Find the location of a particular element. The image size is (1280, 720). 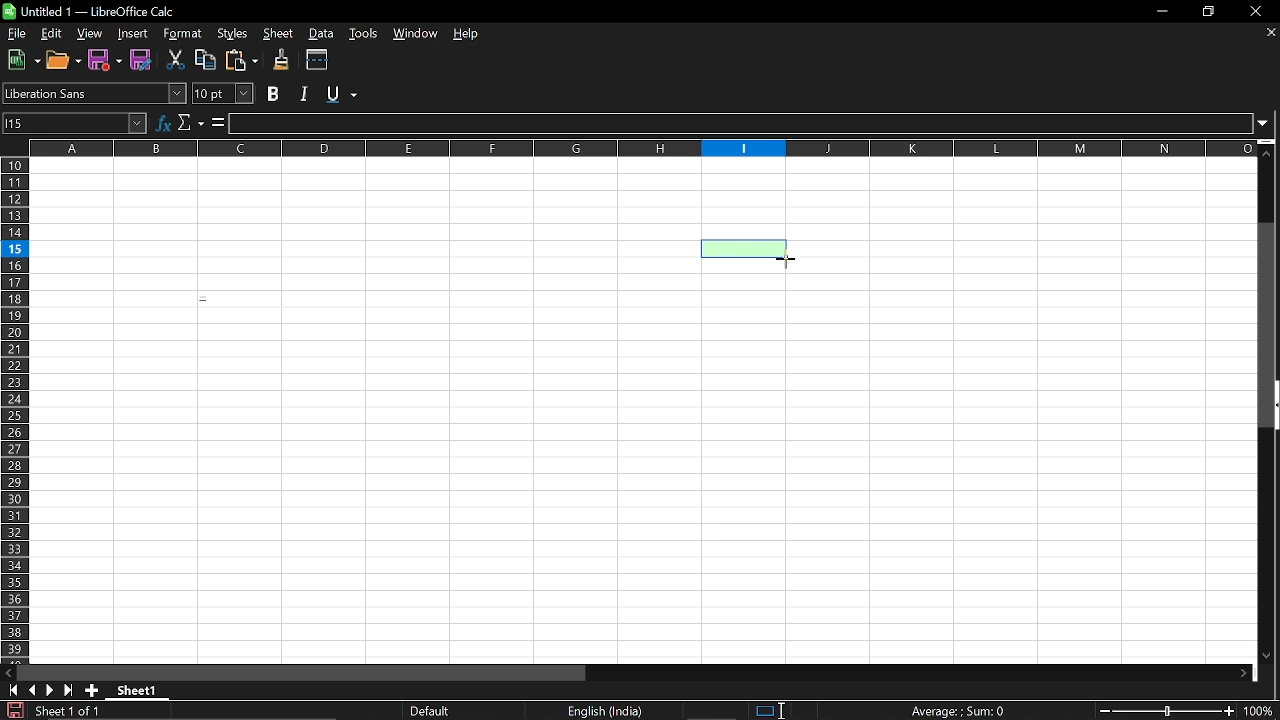

Function wizard is located at coordinates (162, 123).